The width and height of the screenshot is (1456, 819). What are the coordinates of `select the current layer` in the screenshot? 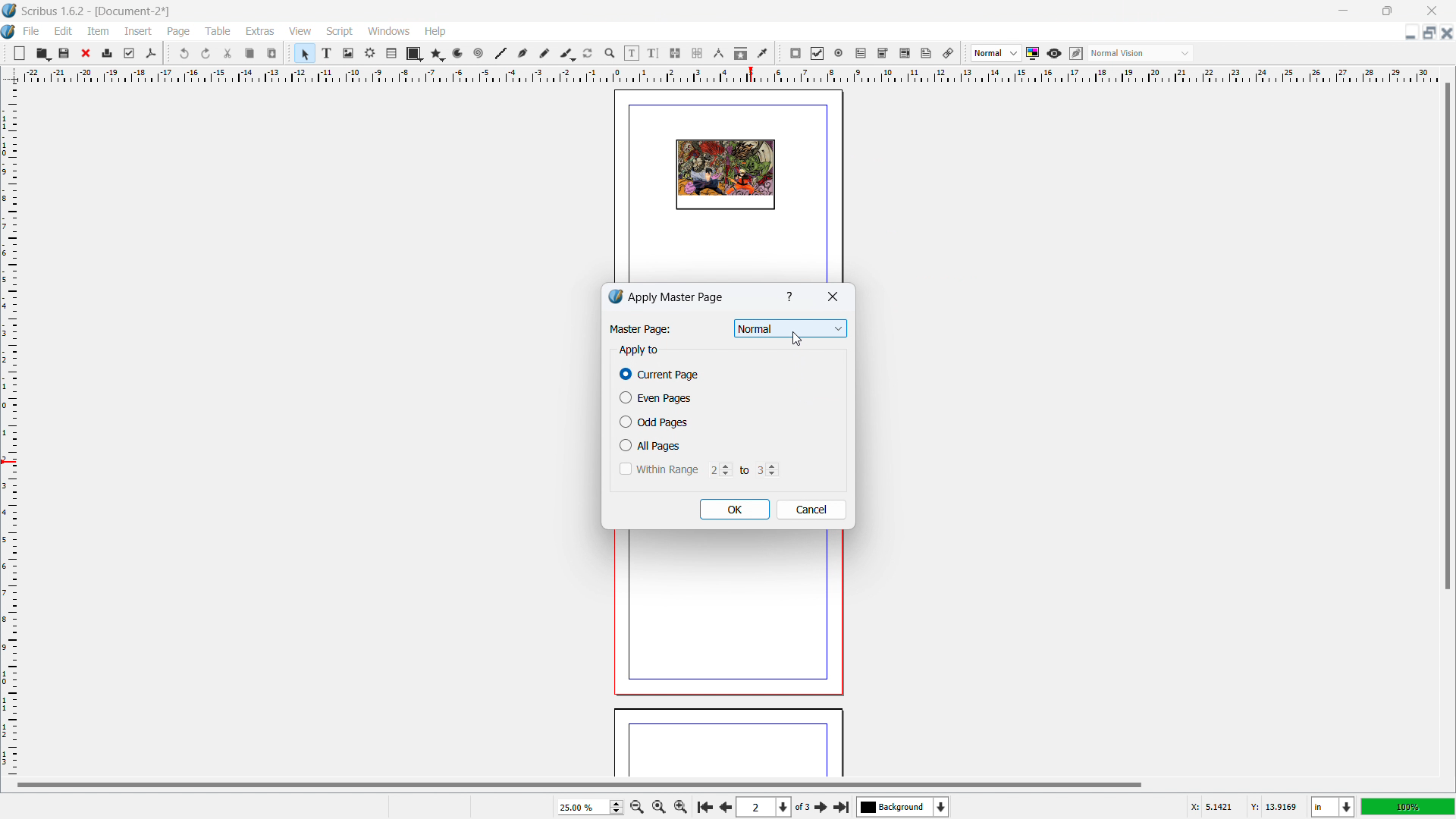 It's located at (903, 807).